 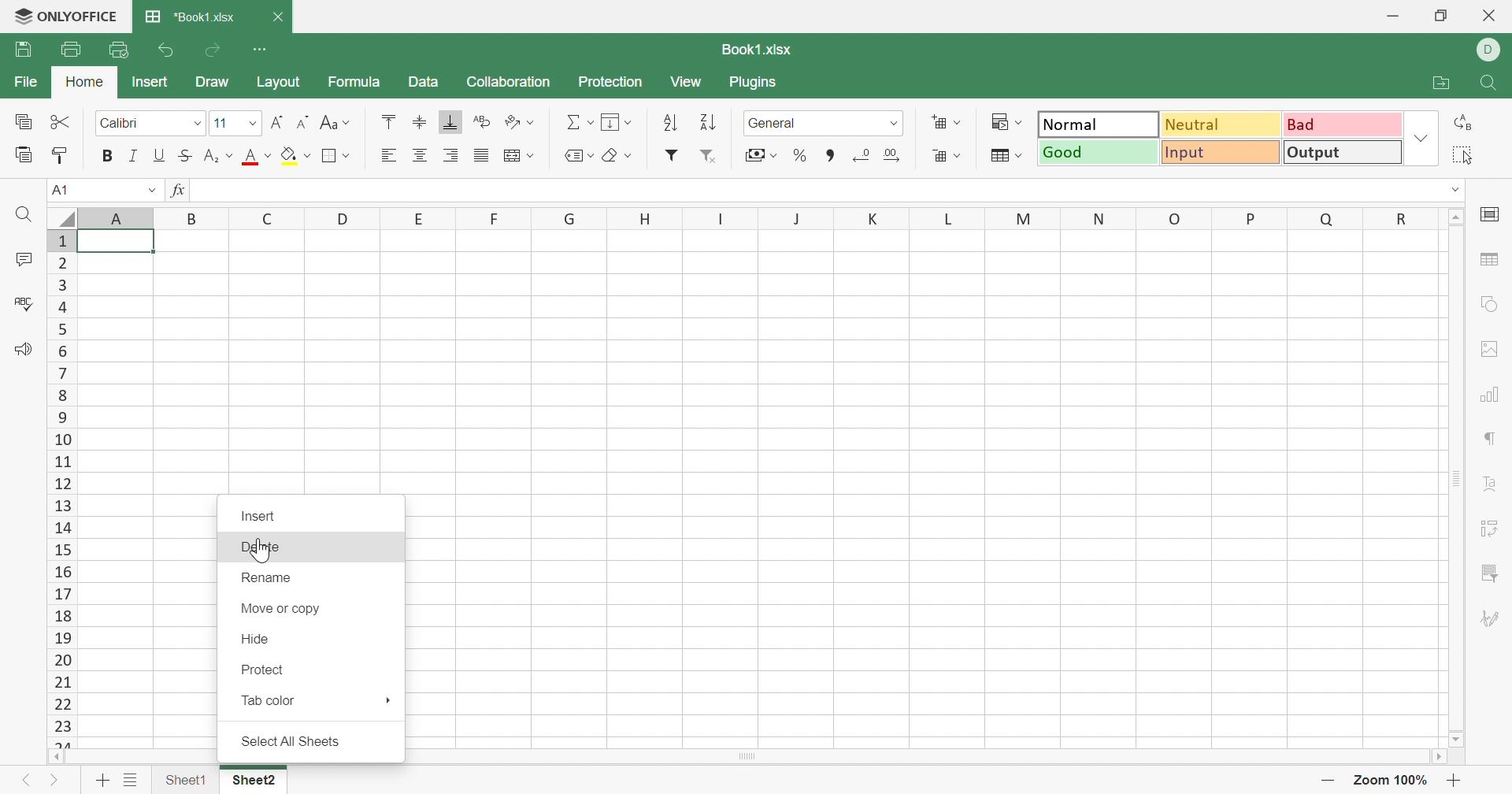 I want to click on ONLYOFFICE, so click(x=67, y=14).